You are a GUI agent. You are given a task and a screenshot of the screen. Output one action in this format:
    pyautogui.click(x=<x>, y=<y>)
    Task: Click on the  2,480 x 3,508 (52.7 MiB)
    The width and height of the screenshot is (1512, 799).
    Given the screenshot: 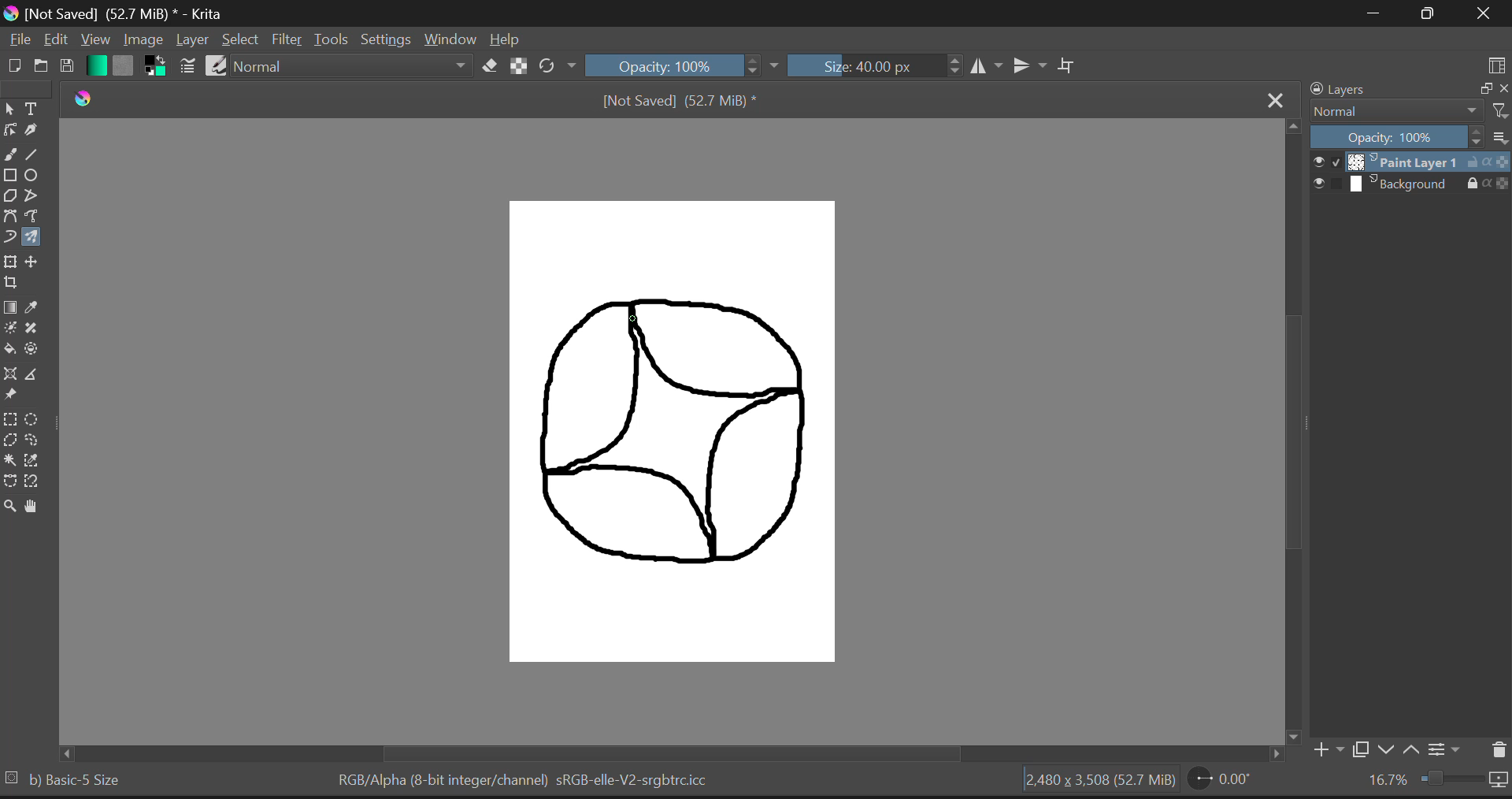 What is the action you would take?
    pyautogui.click(x=1095, y=781)
    